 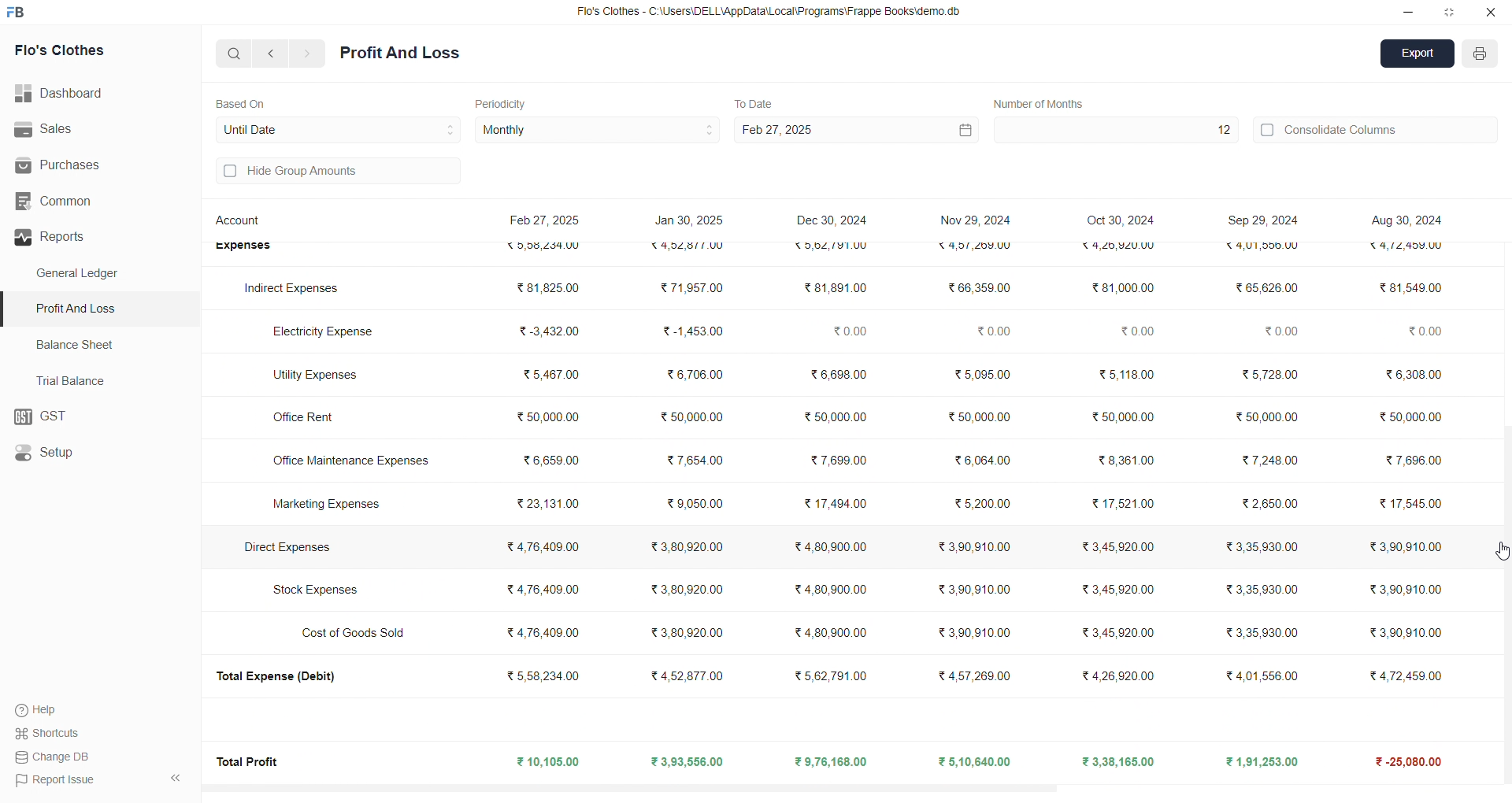 I want to click on ₹3,35,930.00, so click(x=1258, y=634).